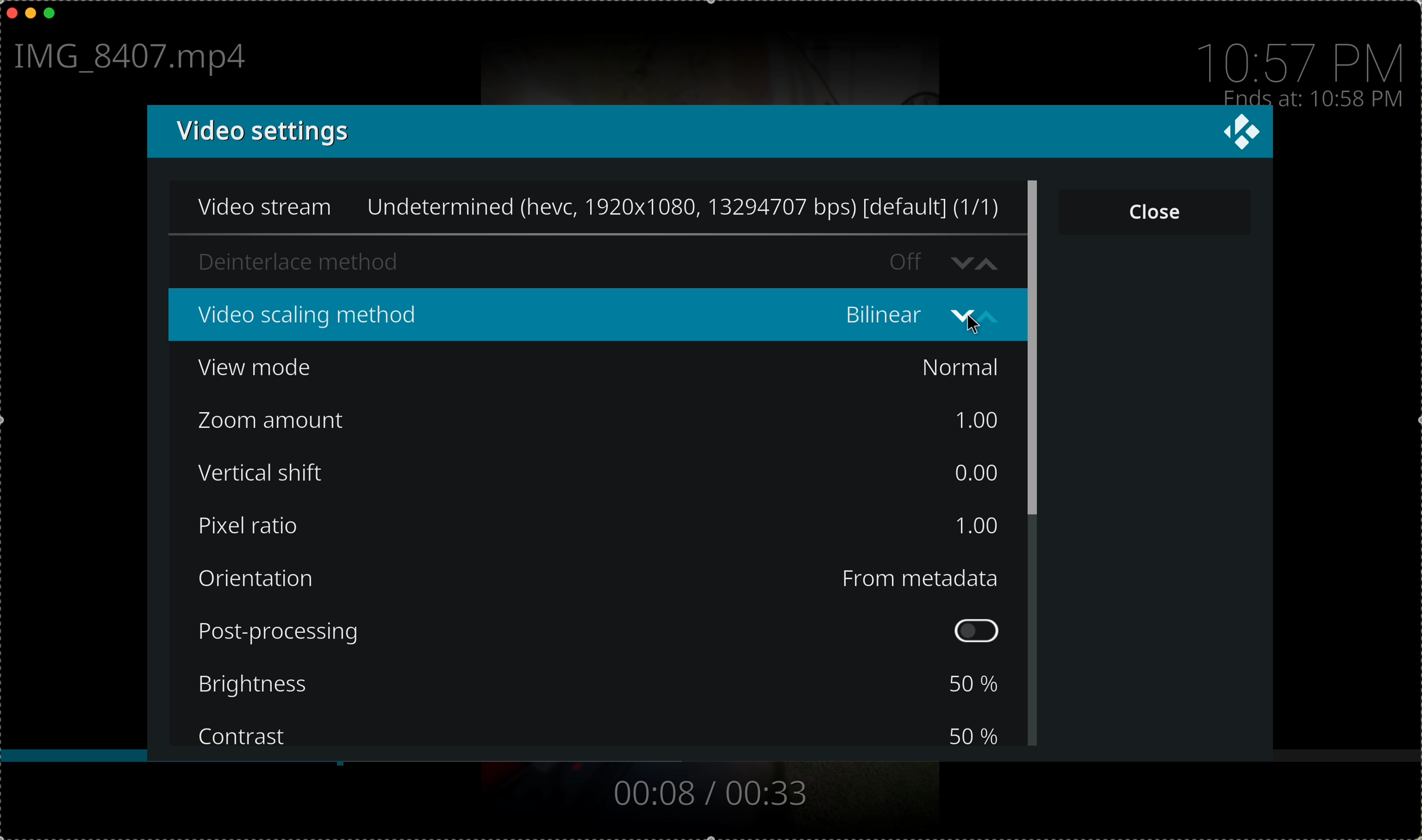 The height and width of the screenshot is (840, 1422). Describe the element at coordinates (1305, 56) in the screenshot. I see `10:57 PM` at that location.